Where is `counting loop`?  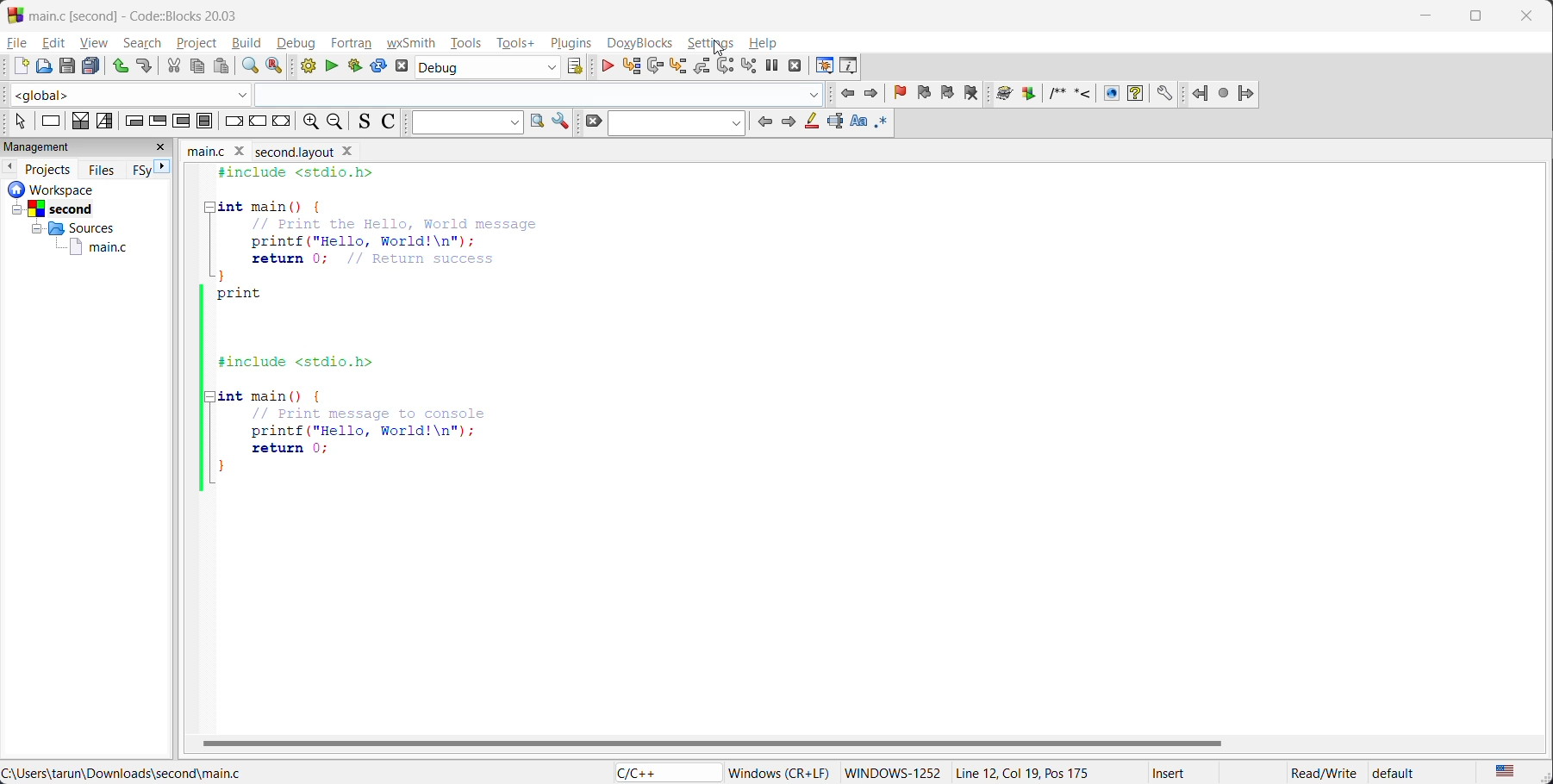
counting loop is located at coordinates (183, 121).